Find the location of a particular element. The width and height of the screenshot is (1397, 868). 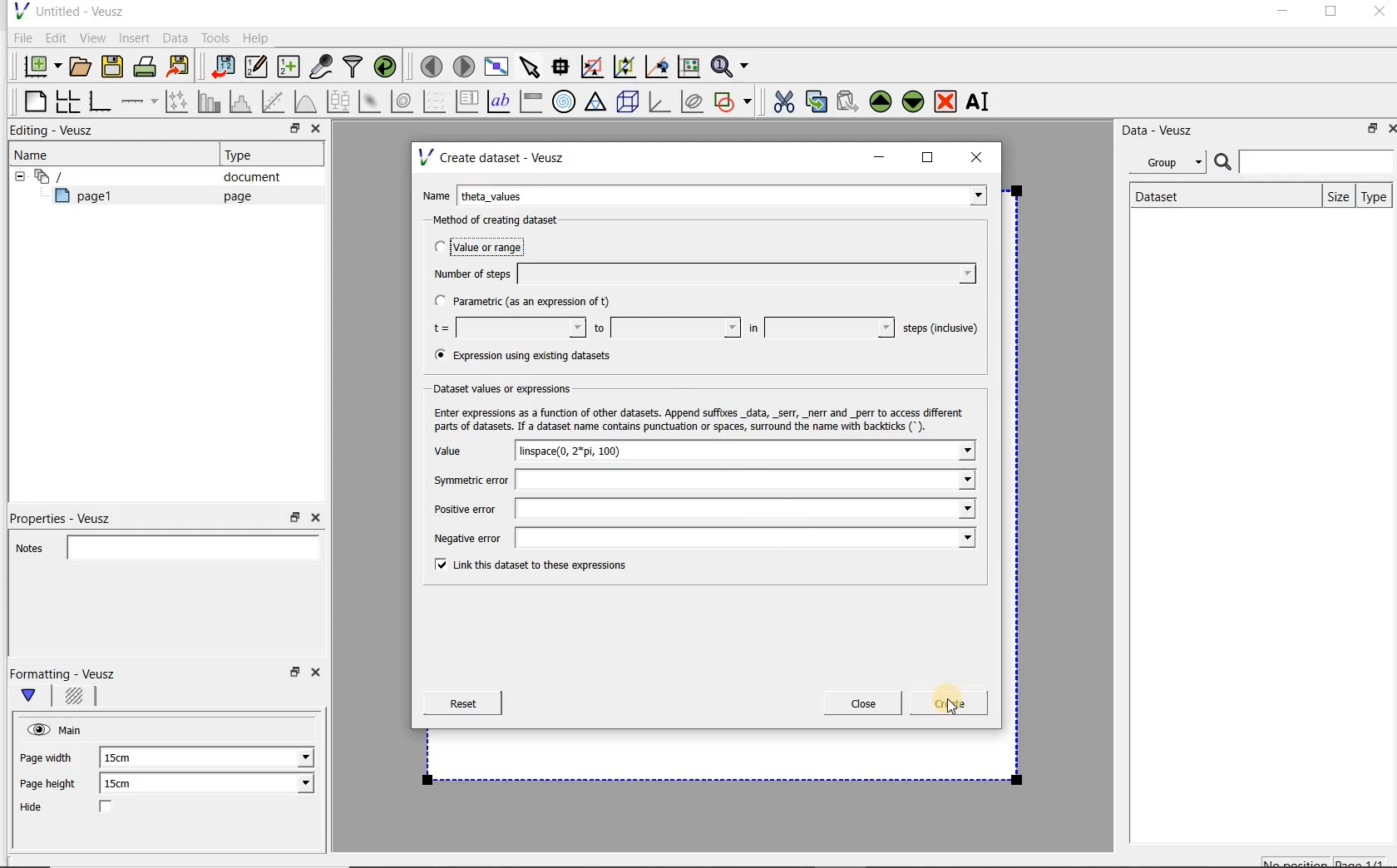

Page height dropdown is located at coordinates (294, 785).